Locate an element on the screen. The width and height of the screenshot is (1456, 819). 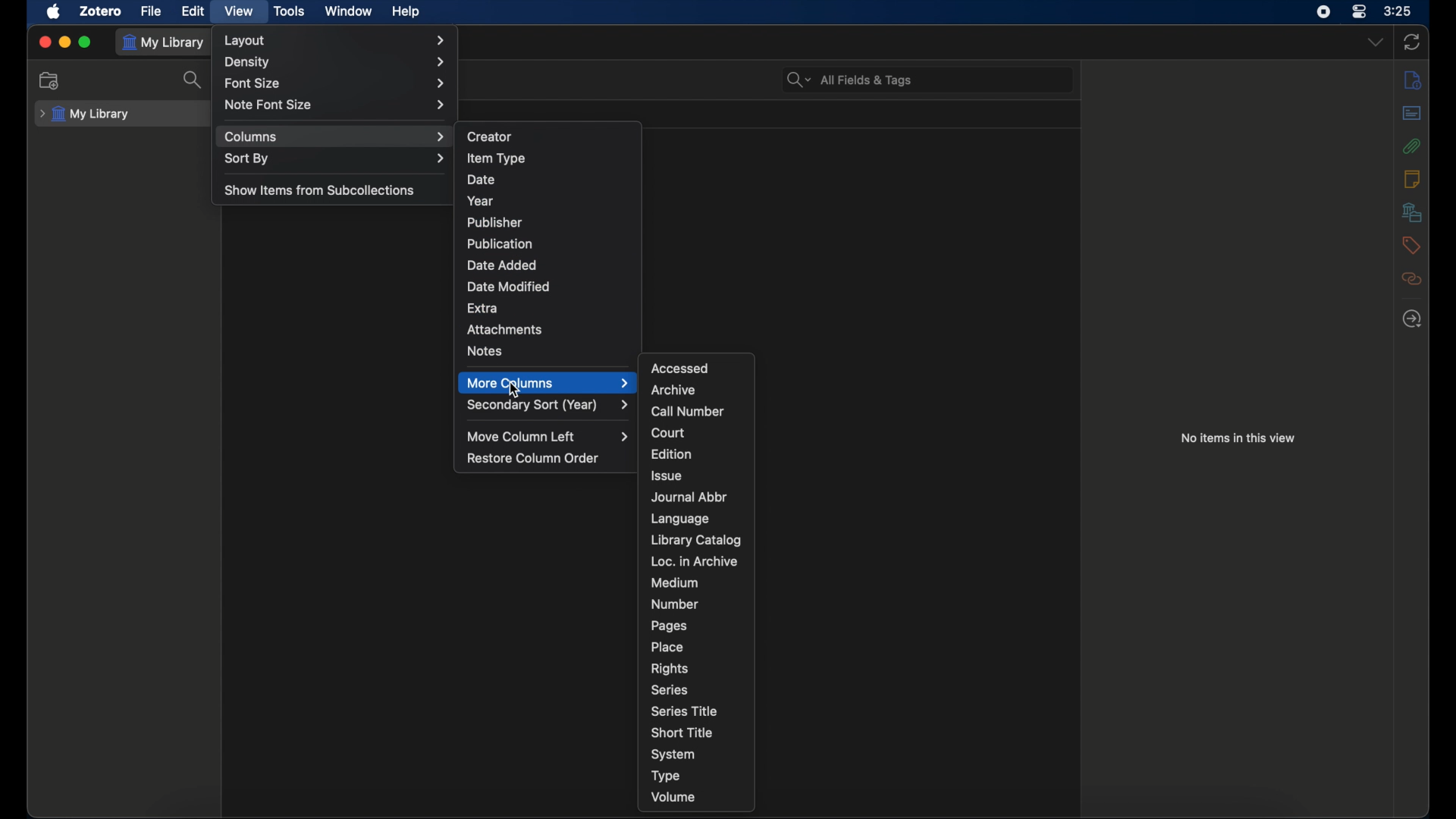
window is located at coordinates (347, 10).